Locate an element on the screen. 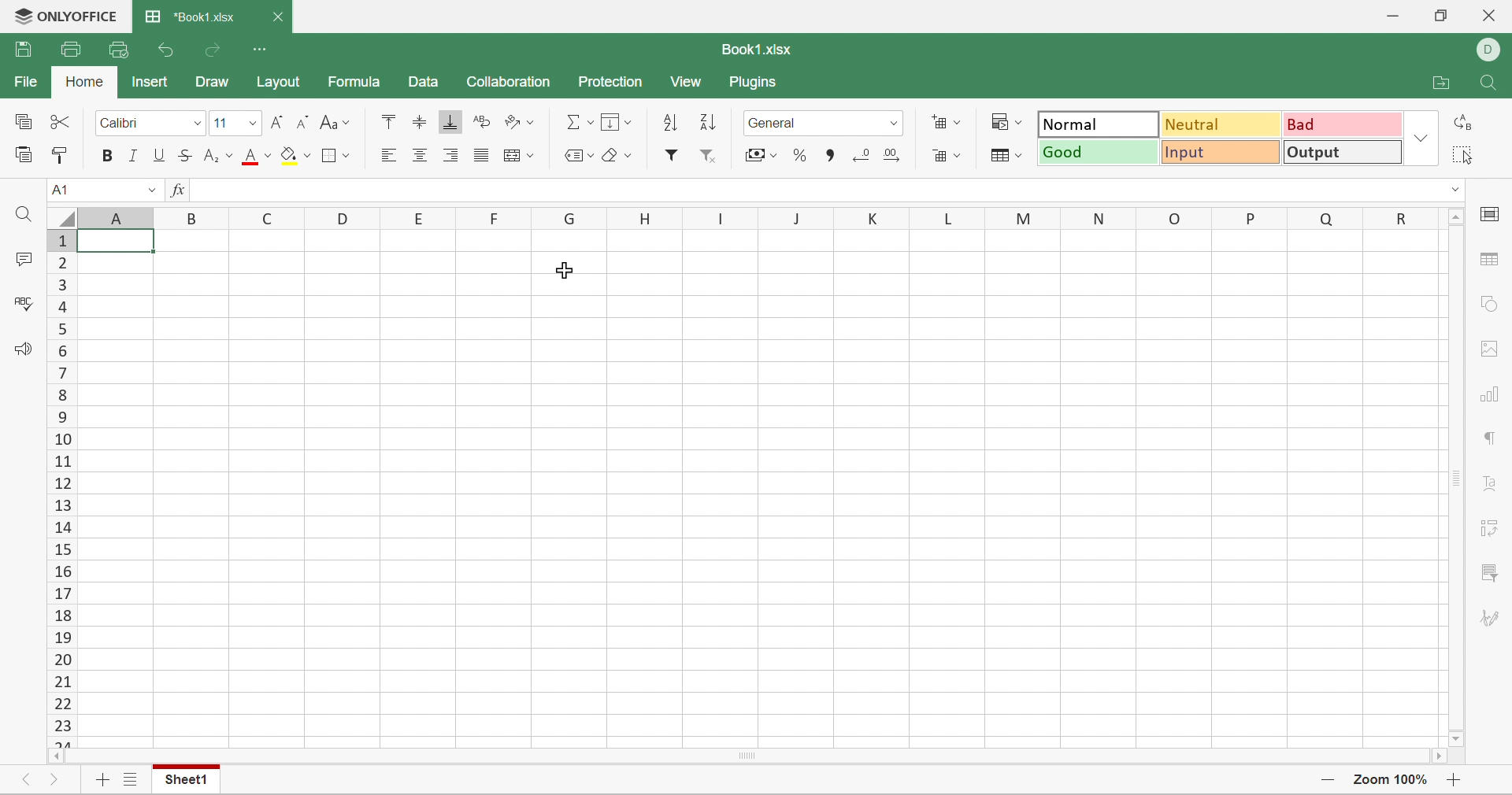 The image size is (1512, 795). H is located at coordinates (642, 219).